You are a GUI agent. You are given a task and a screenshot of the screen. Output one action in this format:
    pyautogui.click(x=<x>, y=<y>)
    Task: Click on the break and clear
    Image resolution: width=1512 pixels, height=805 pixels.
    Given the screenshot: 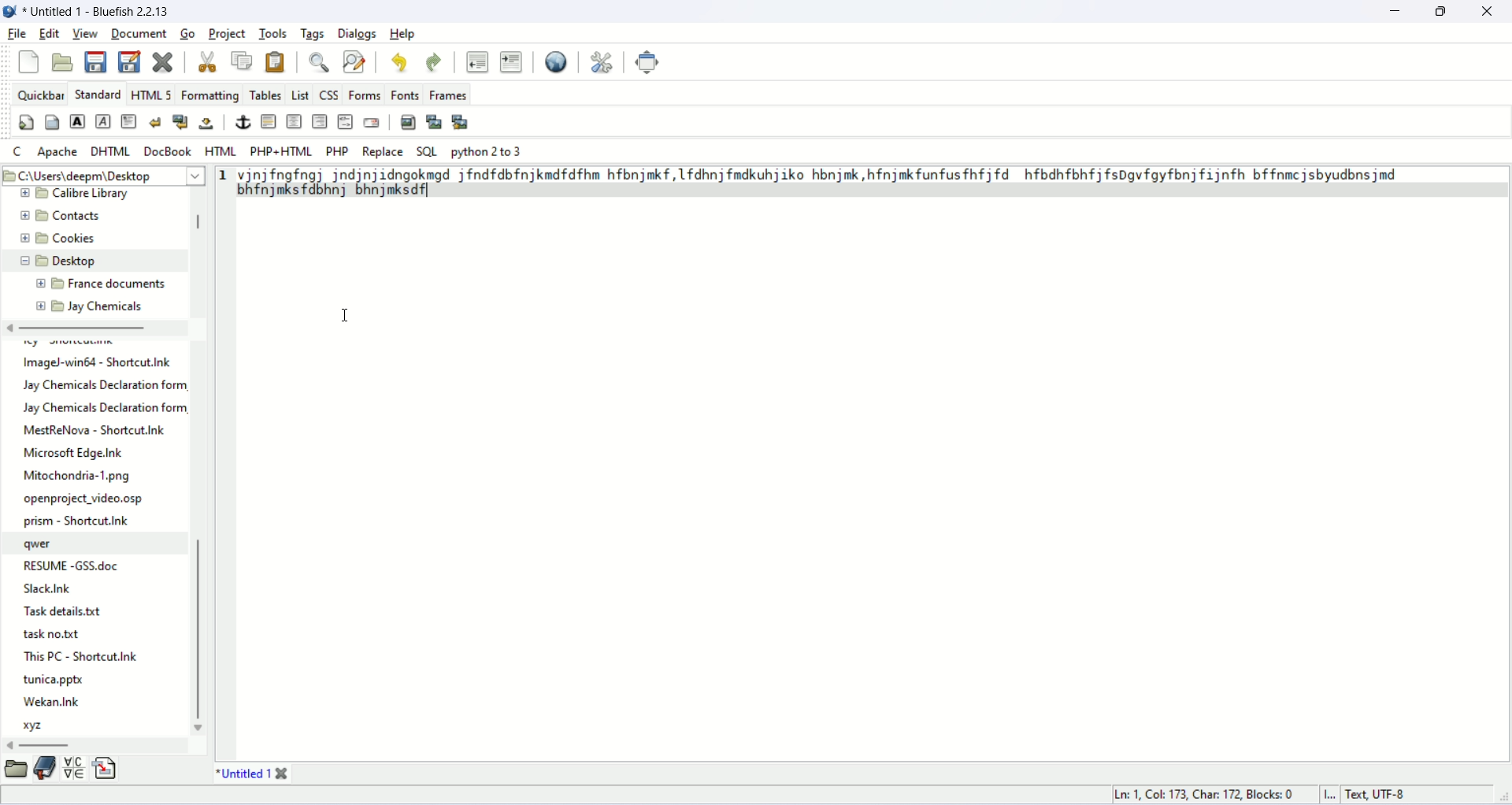 What is the action you would take?
    pyautogui.click(x=180, y=121)
    